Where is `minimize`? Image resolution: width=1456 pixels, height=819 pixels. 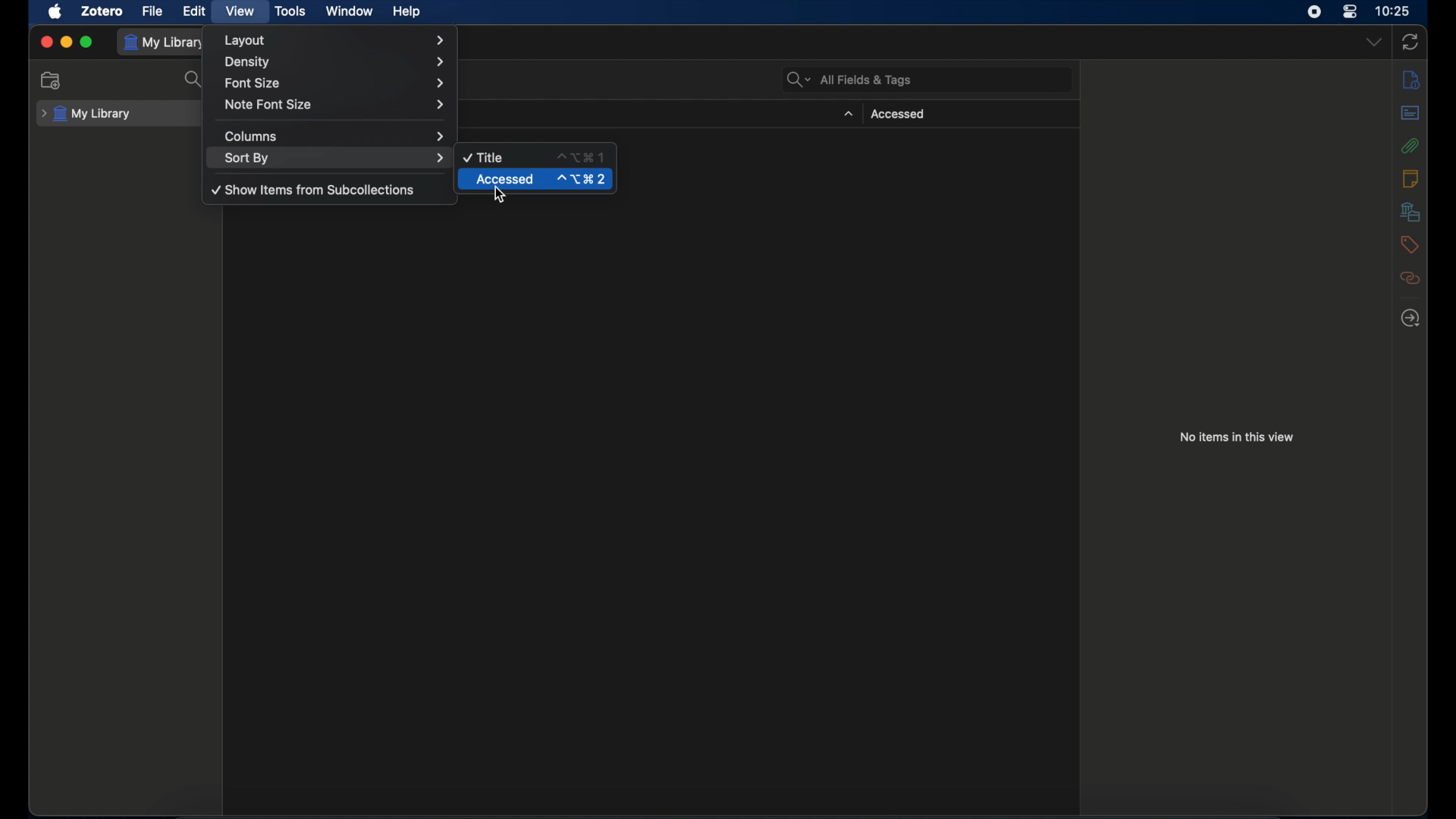
minimize is located at coordinates (65, 42).